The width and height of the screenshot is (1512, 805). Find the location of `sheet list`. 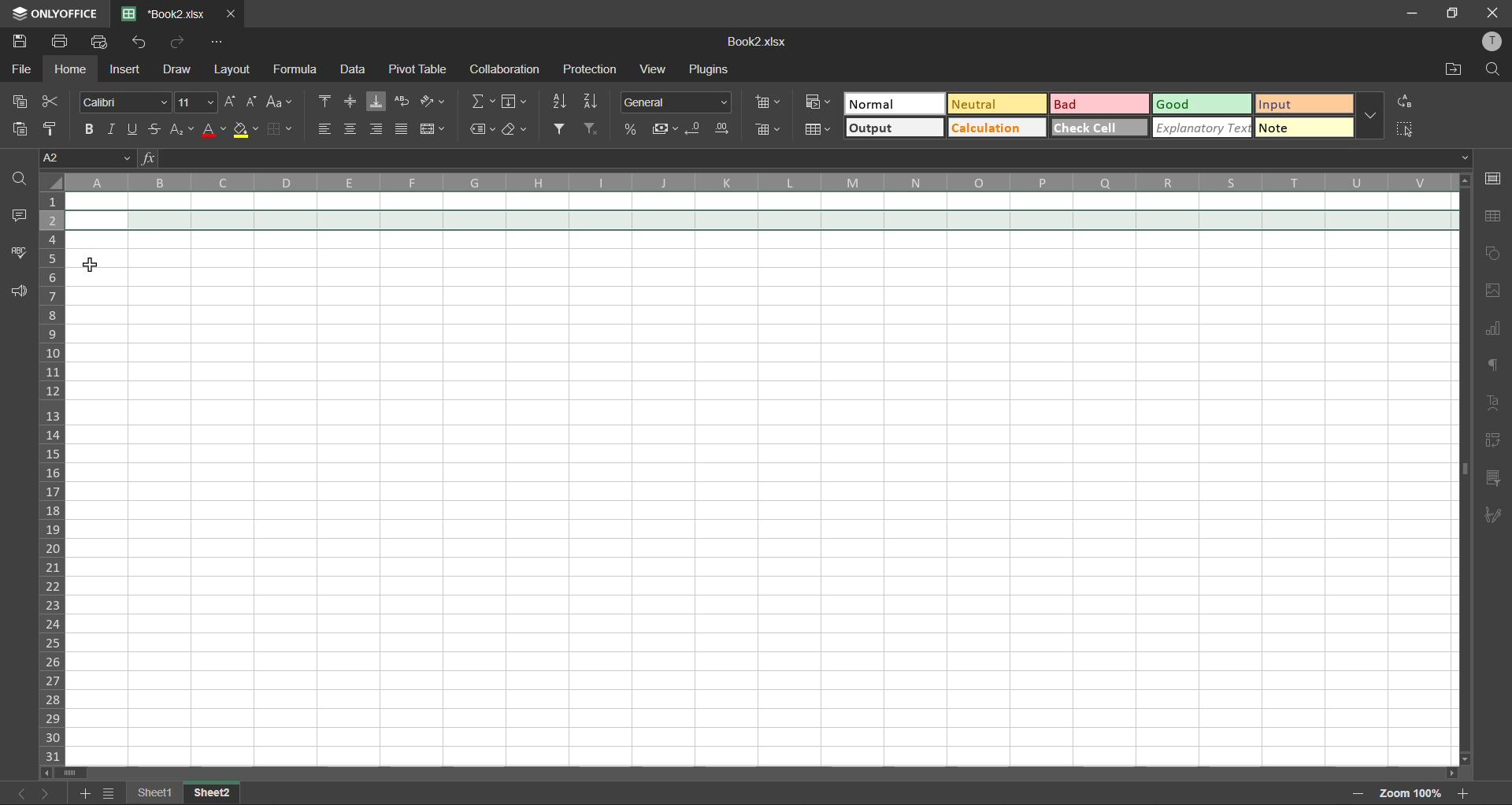

sheet list is located at coordinates (111, 793).